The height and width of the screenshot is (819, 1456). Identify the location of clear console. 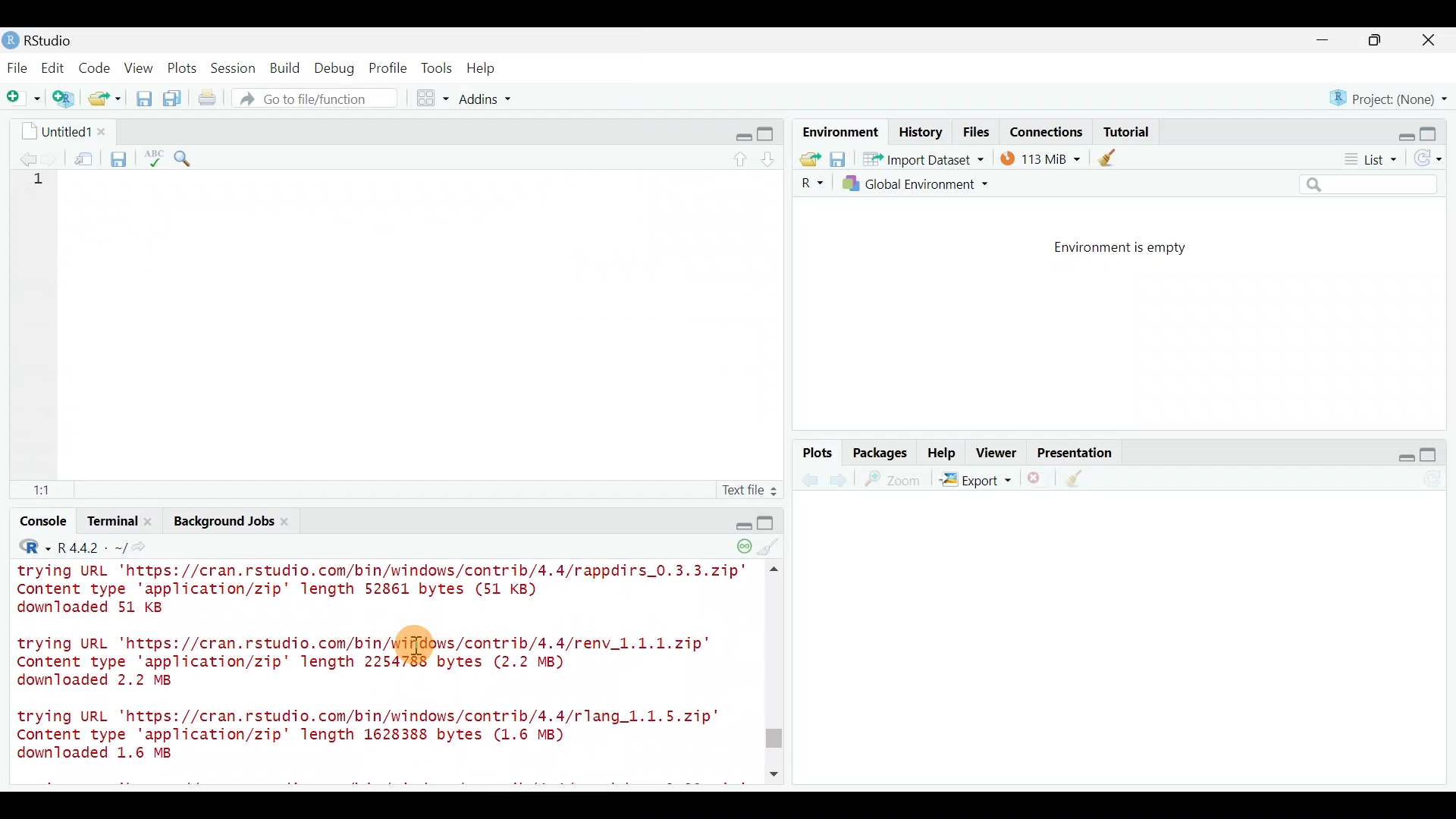
(763, 547).